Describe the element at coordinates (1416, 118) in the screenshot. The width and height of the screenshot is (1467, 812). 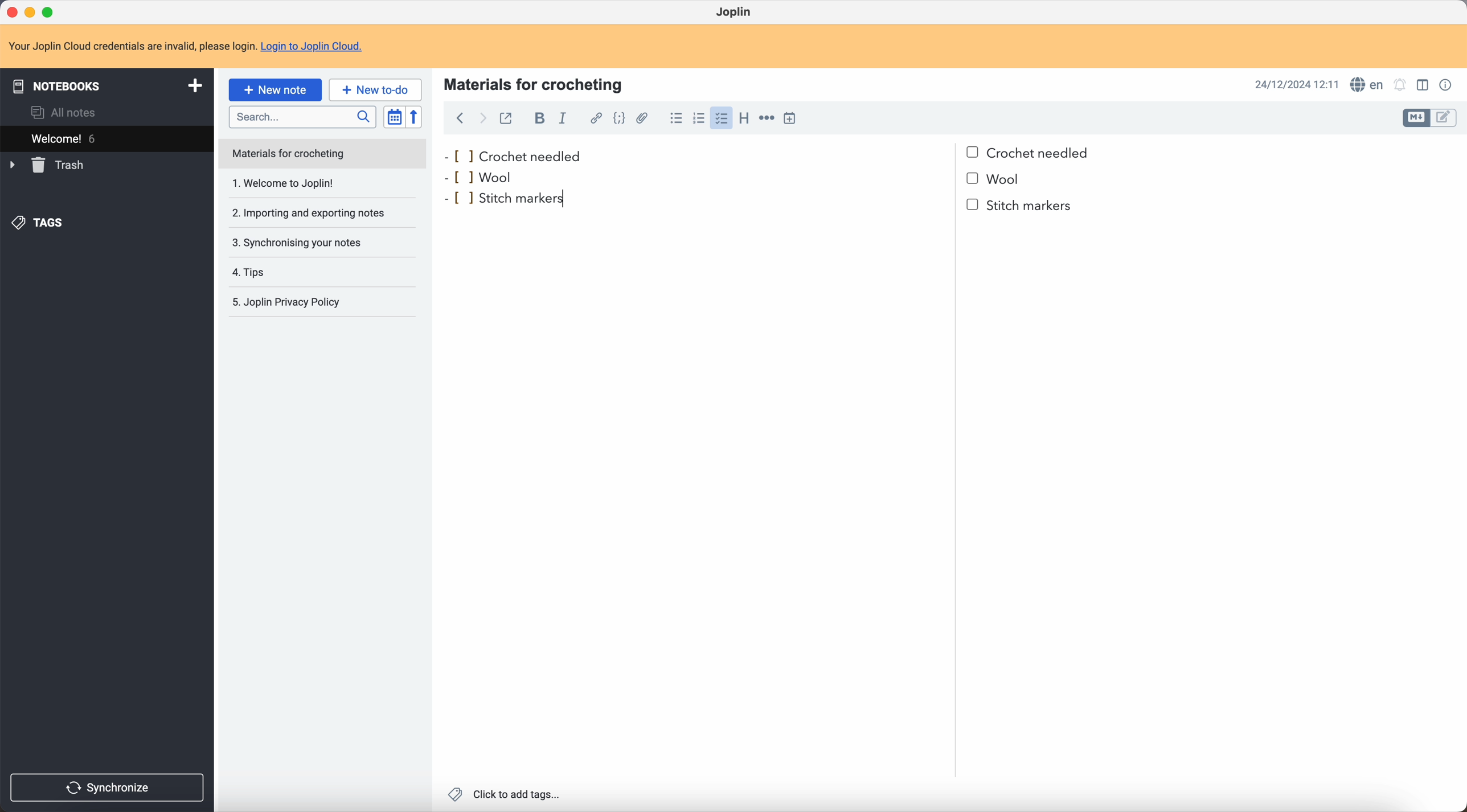
I see `toggle edit layout` at that location.